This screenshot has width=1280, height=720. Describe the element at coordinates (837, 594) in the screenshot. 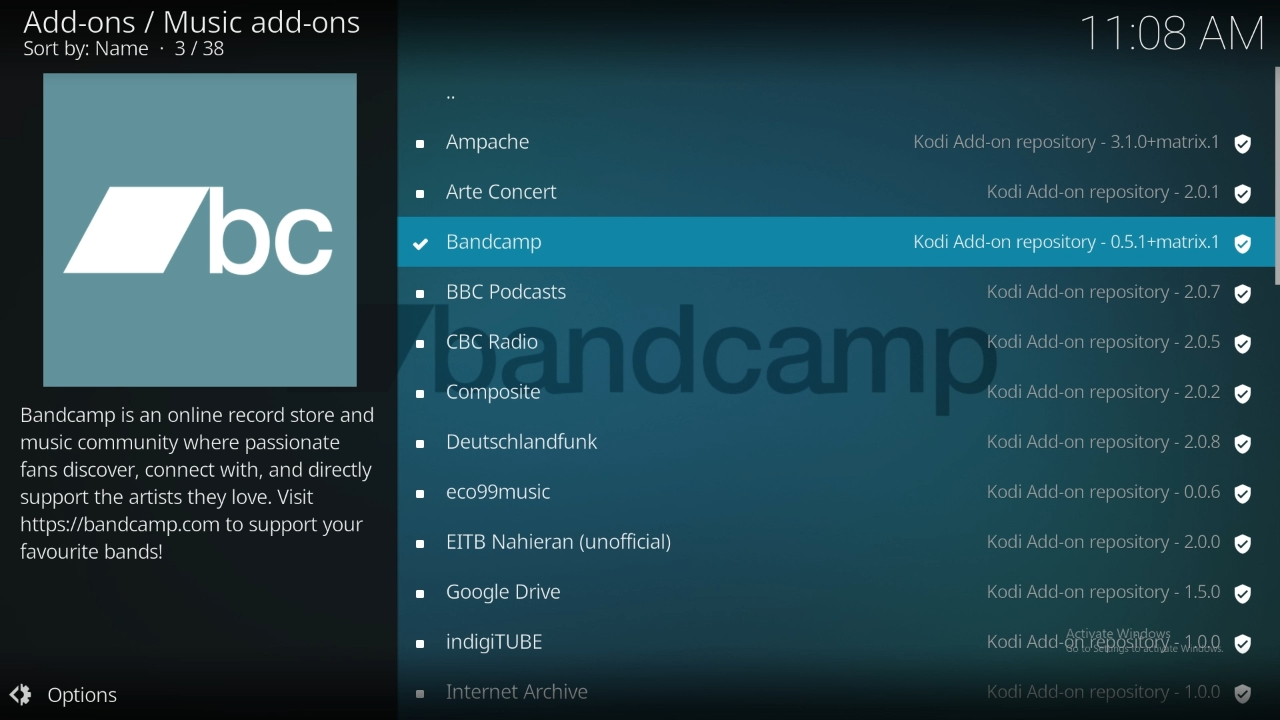

I see `add on` at that location.